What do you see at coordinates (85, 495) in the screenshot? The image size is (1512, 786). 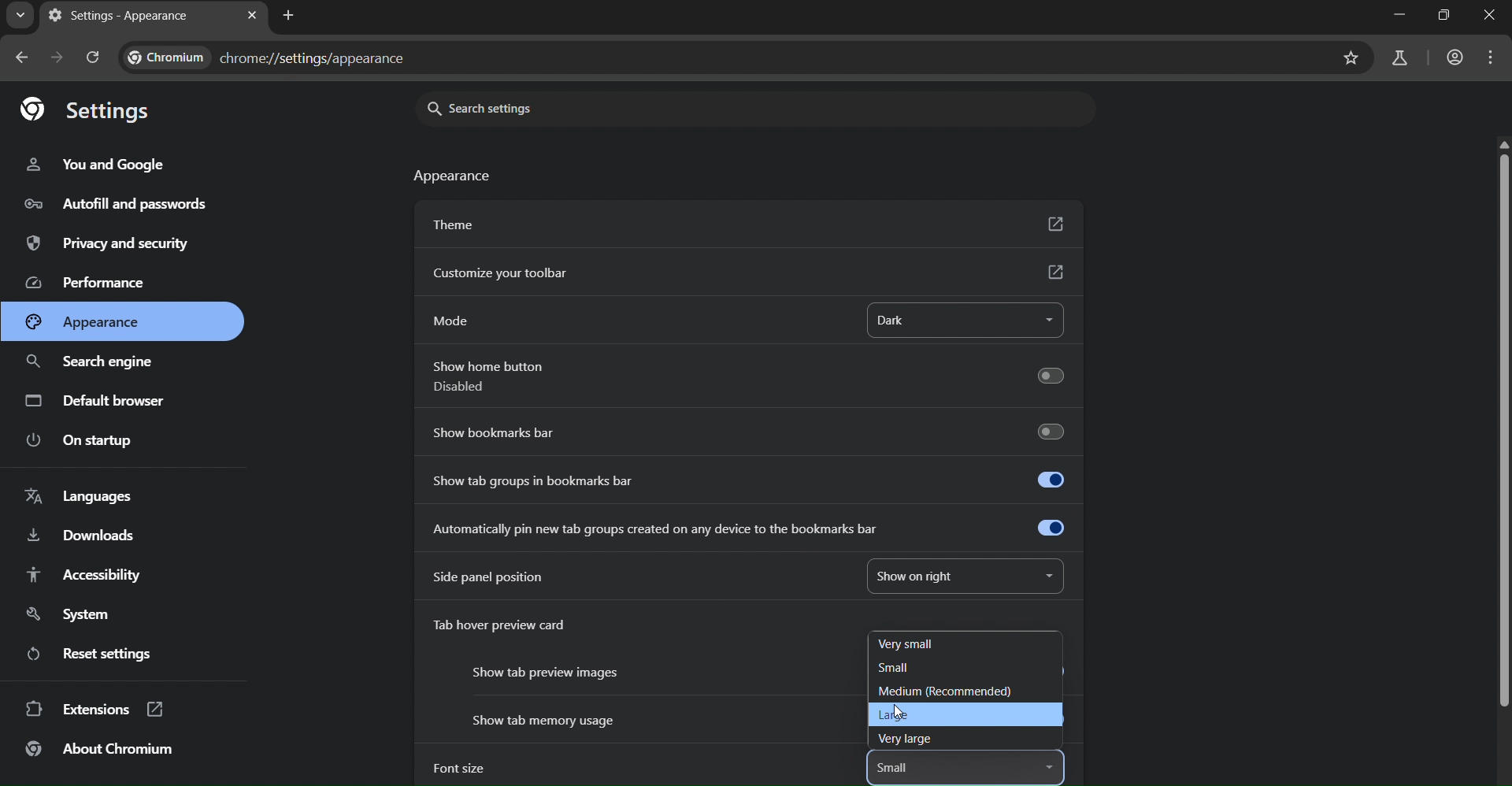 I see `languages` at bounding box center [85, 495].